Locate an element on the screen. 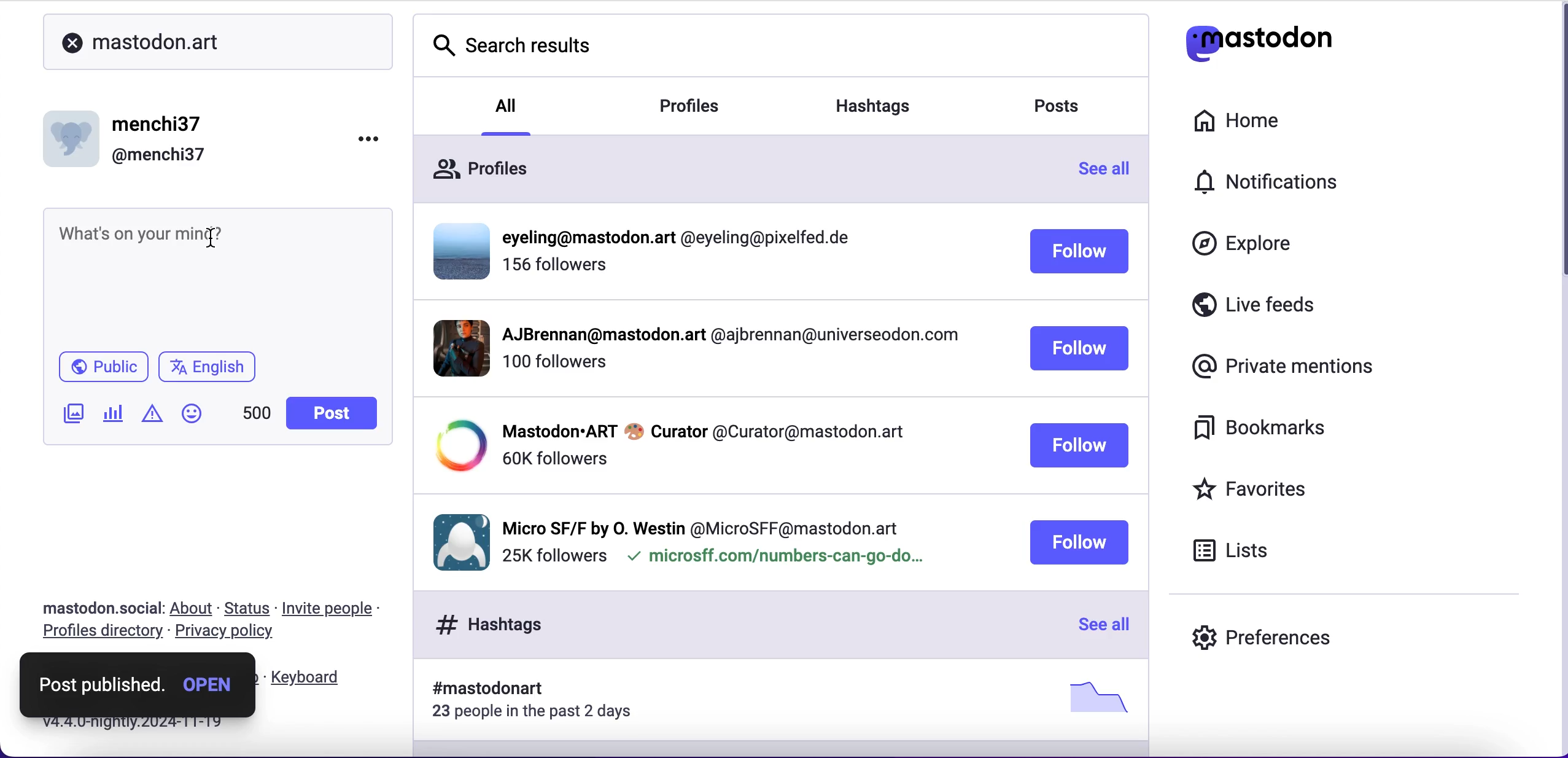 Image resolution: width=1568 pixels, height=758 pixels. options is located at coordinates (371, 139).